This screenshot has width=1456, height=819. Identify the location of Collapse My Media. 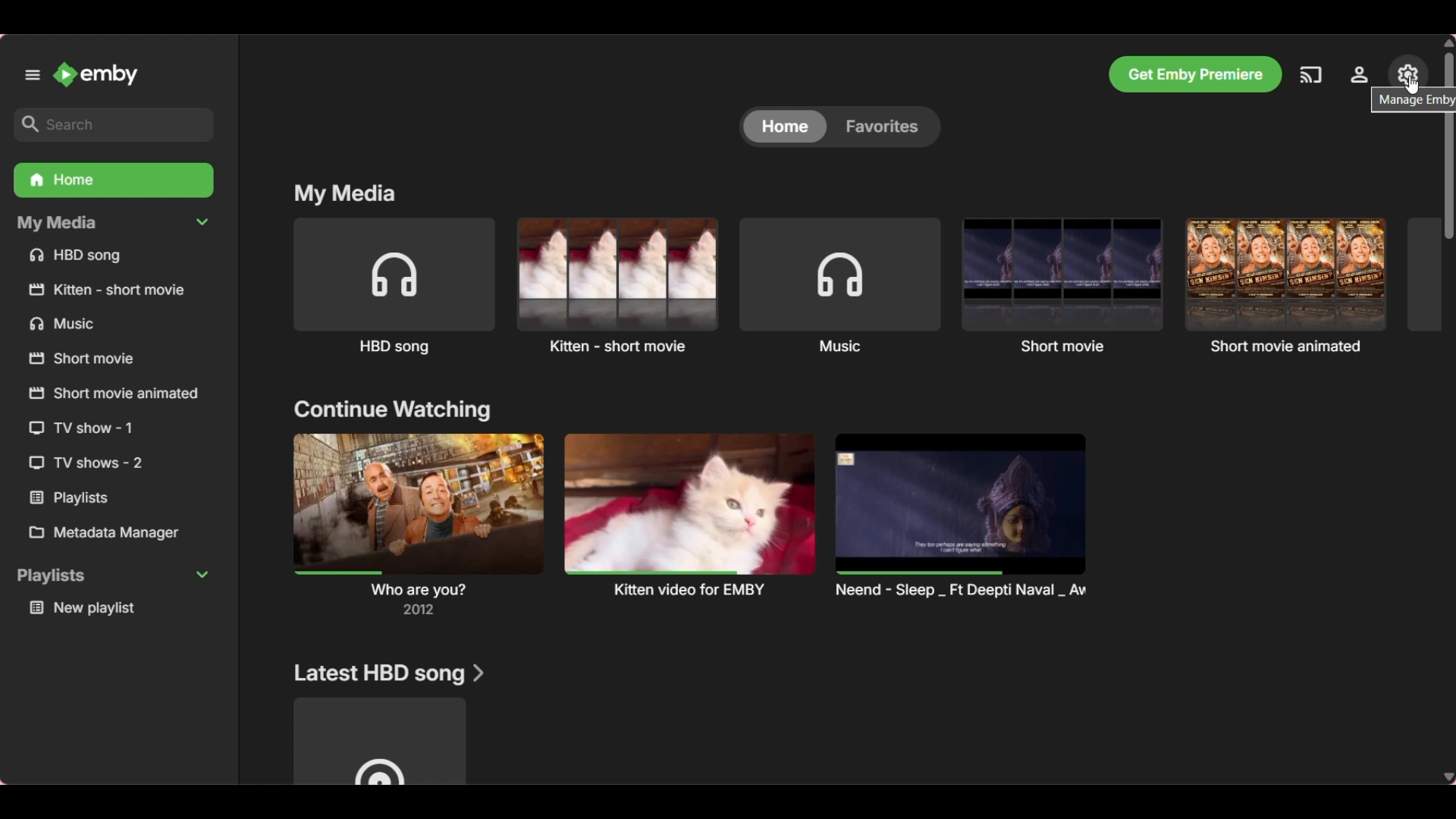
(114, 223).